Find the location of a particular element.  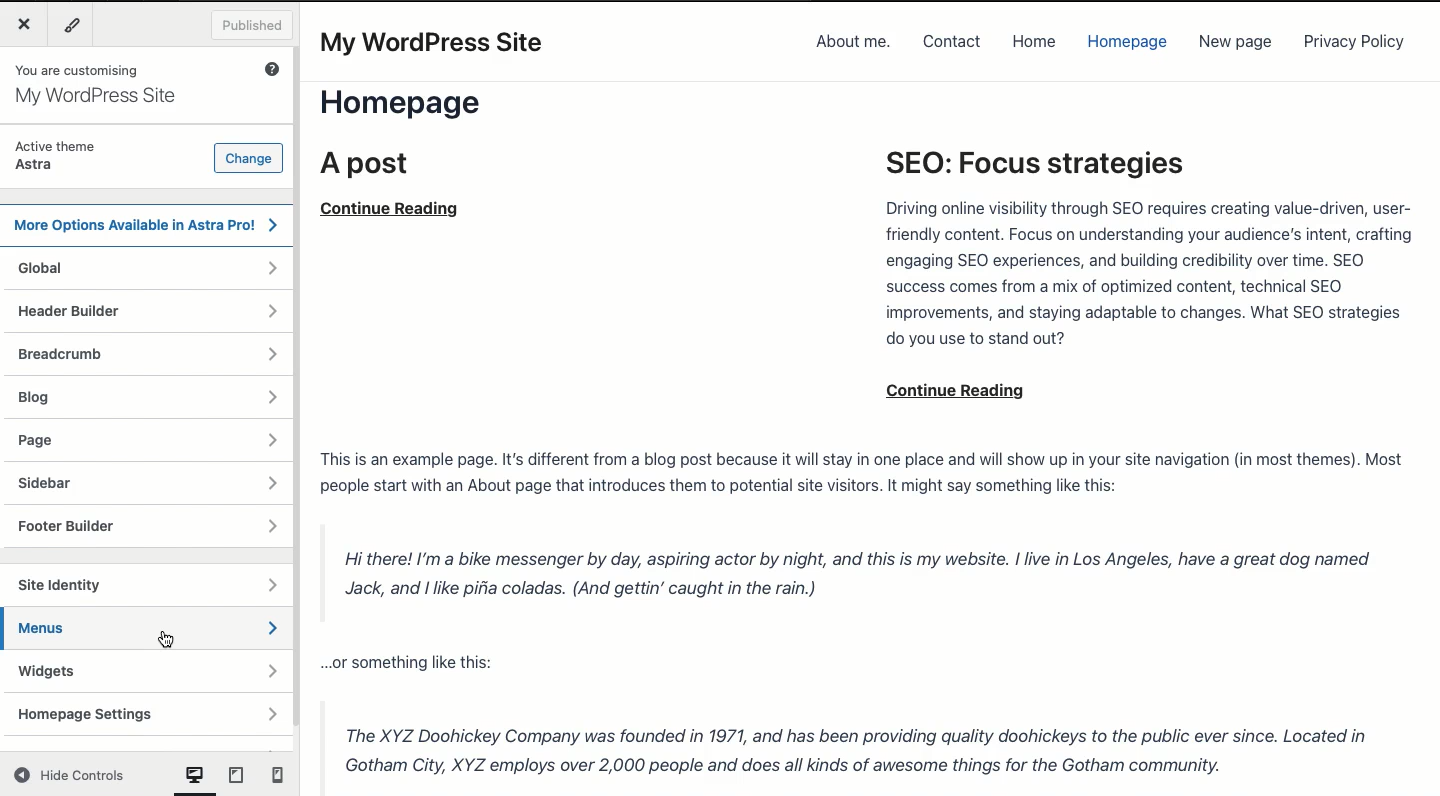

Privacy policy  is located at coordinates (1355, 42).